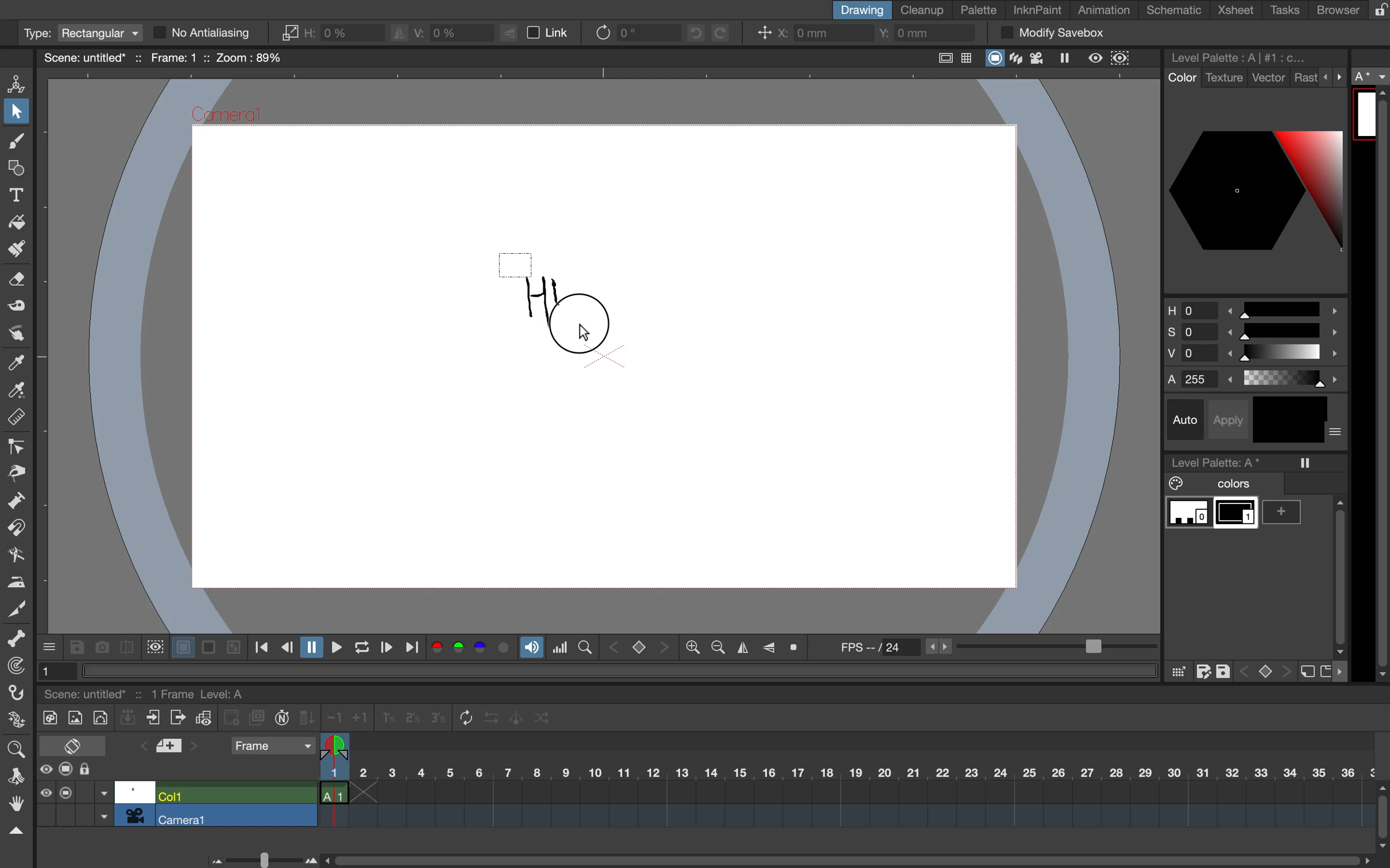 This screenshot has width=1390, height=868. Describe the element at coordinates (585, 646) in the screenshot. I see `locator` at that location.